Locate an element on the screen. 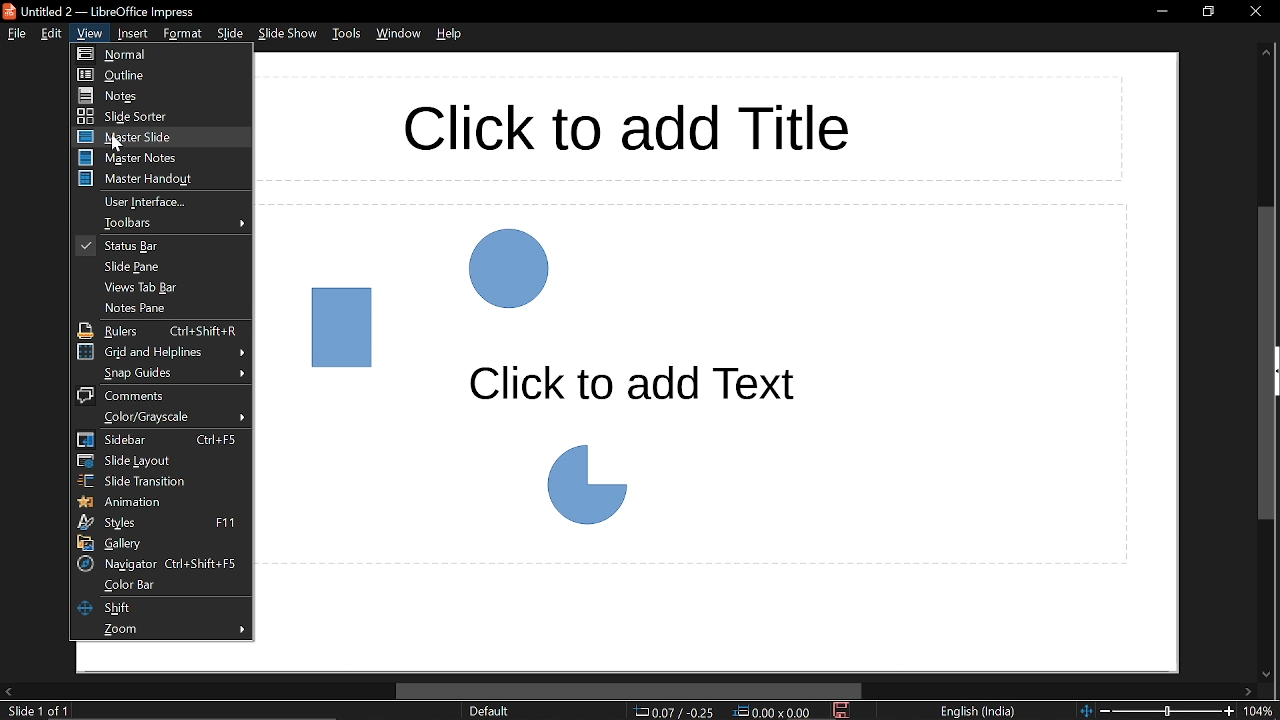 The image size is (1280, 720). Close is located at coordinates (1254, 11).